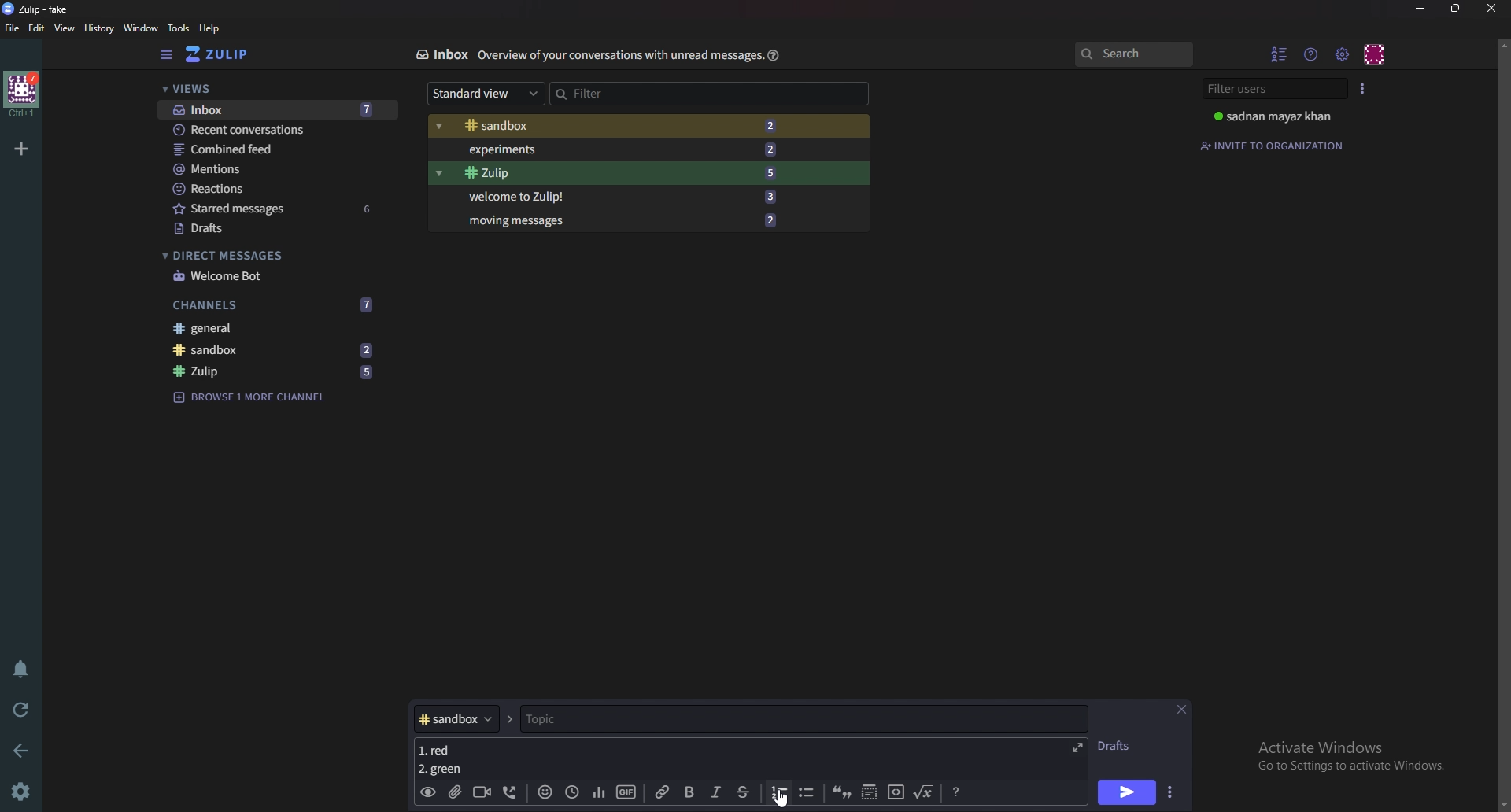  I want to click on Reload, so click(24, 708).